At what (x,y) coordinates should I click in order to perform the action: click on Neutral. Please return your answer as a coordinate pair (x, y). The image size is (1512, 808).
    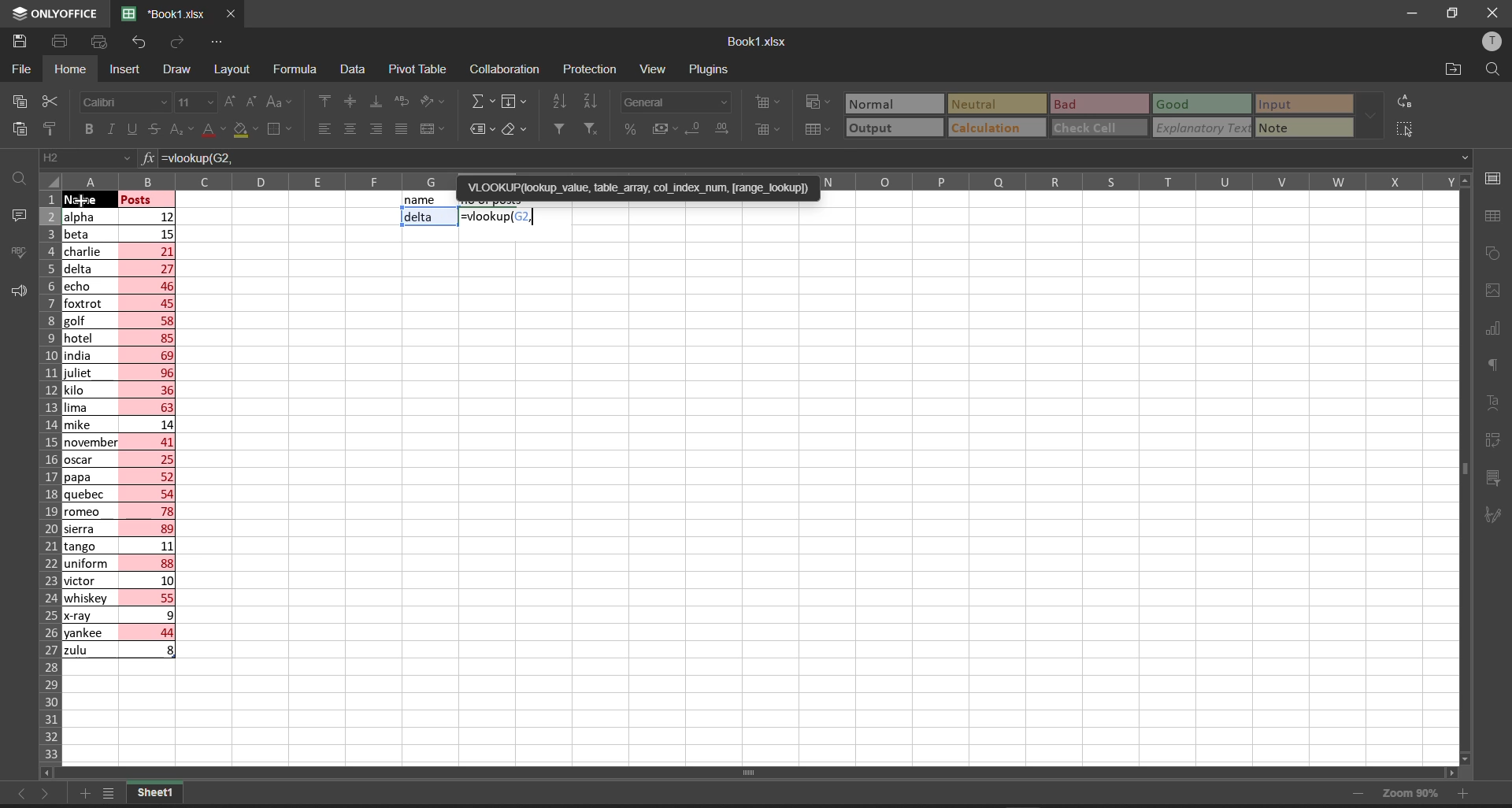
    Looking at the image, I should click on (976, 103).